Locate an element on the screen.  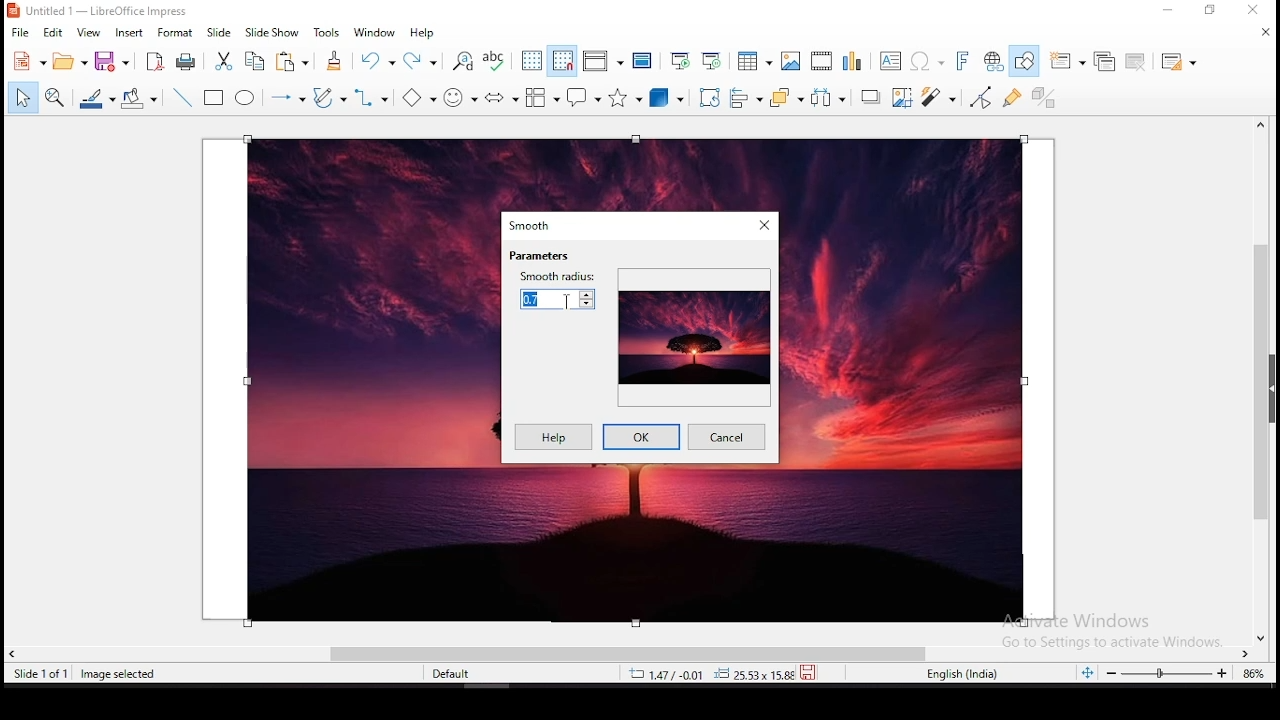
close window is located at coordinates (1253, 11).